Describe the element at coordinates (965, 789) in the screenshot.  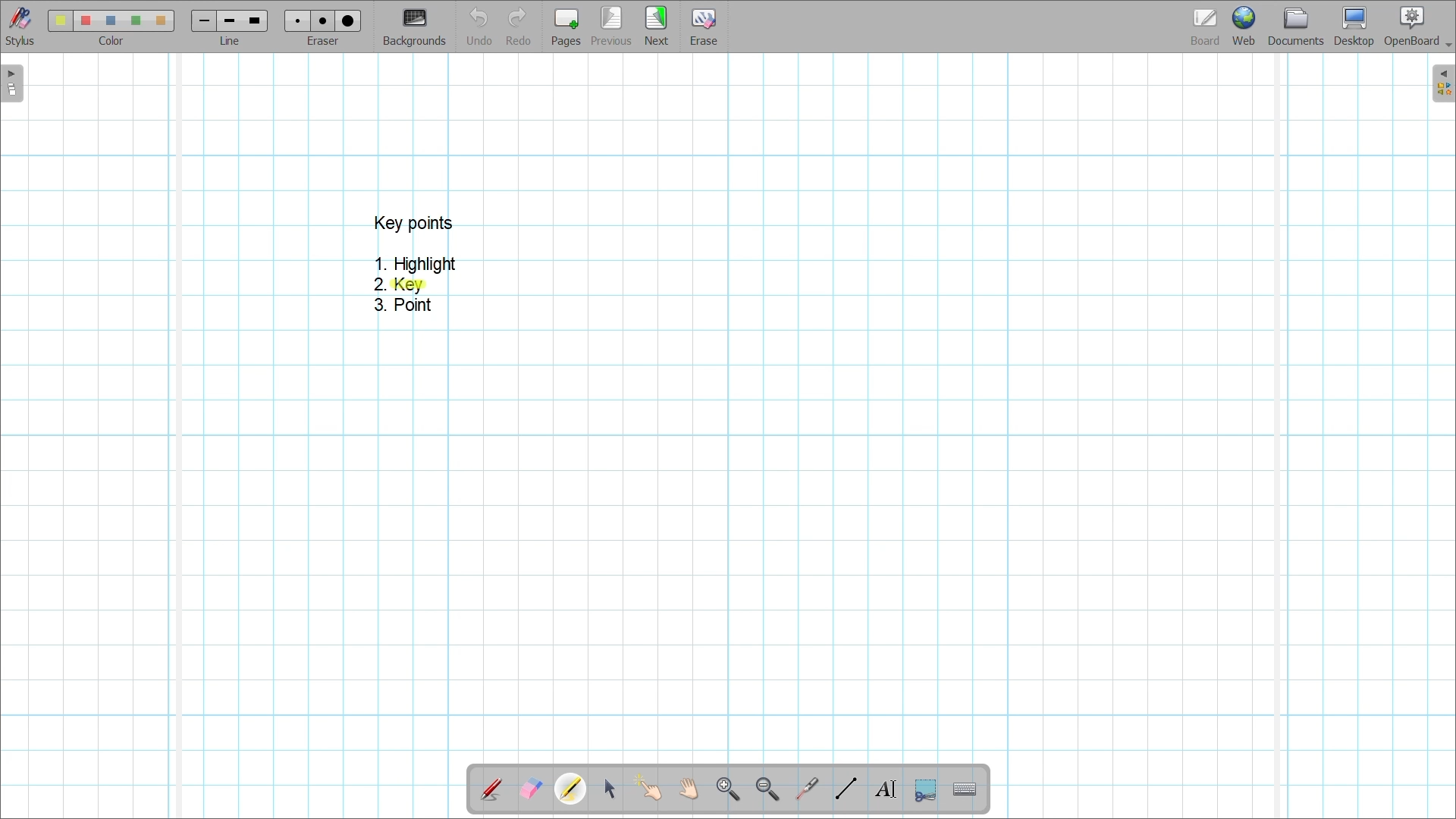
I see `Display virtual keyboard` at that location.